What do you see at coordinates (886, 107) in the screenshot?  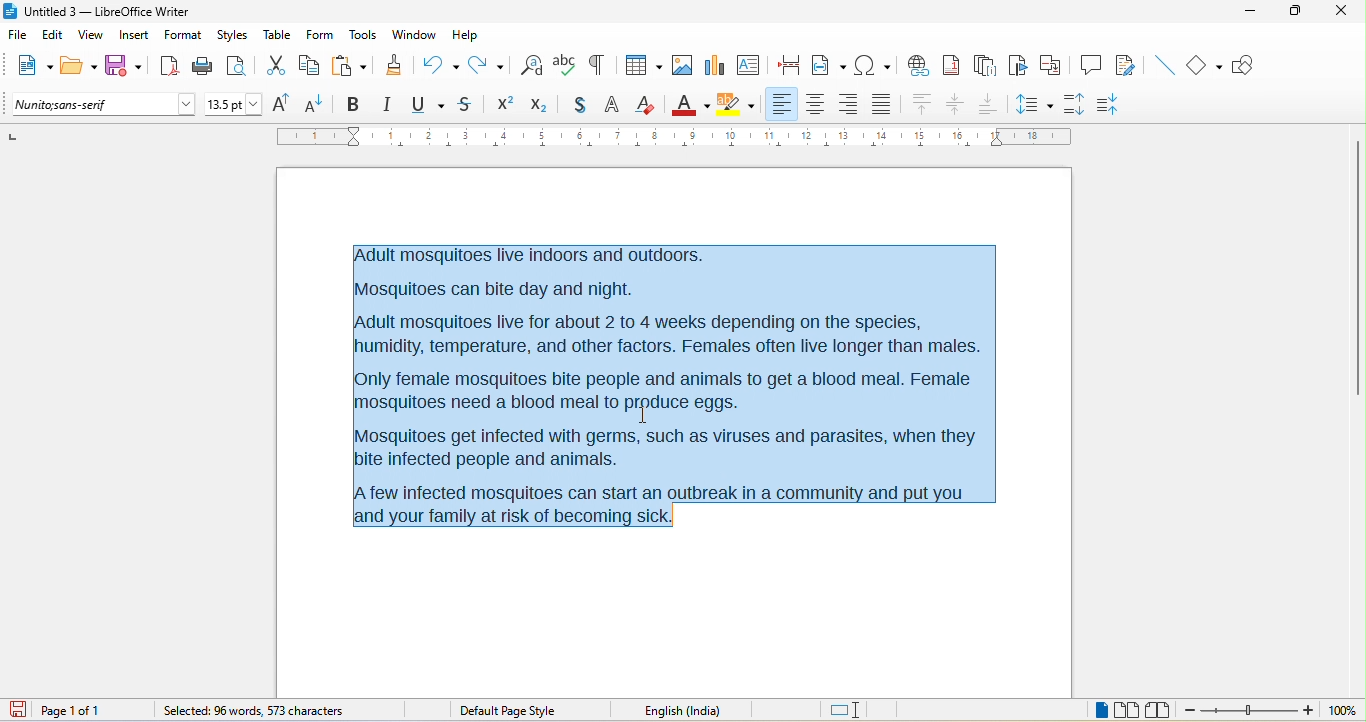 I see `justified` at bounding box center [886, 107].